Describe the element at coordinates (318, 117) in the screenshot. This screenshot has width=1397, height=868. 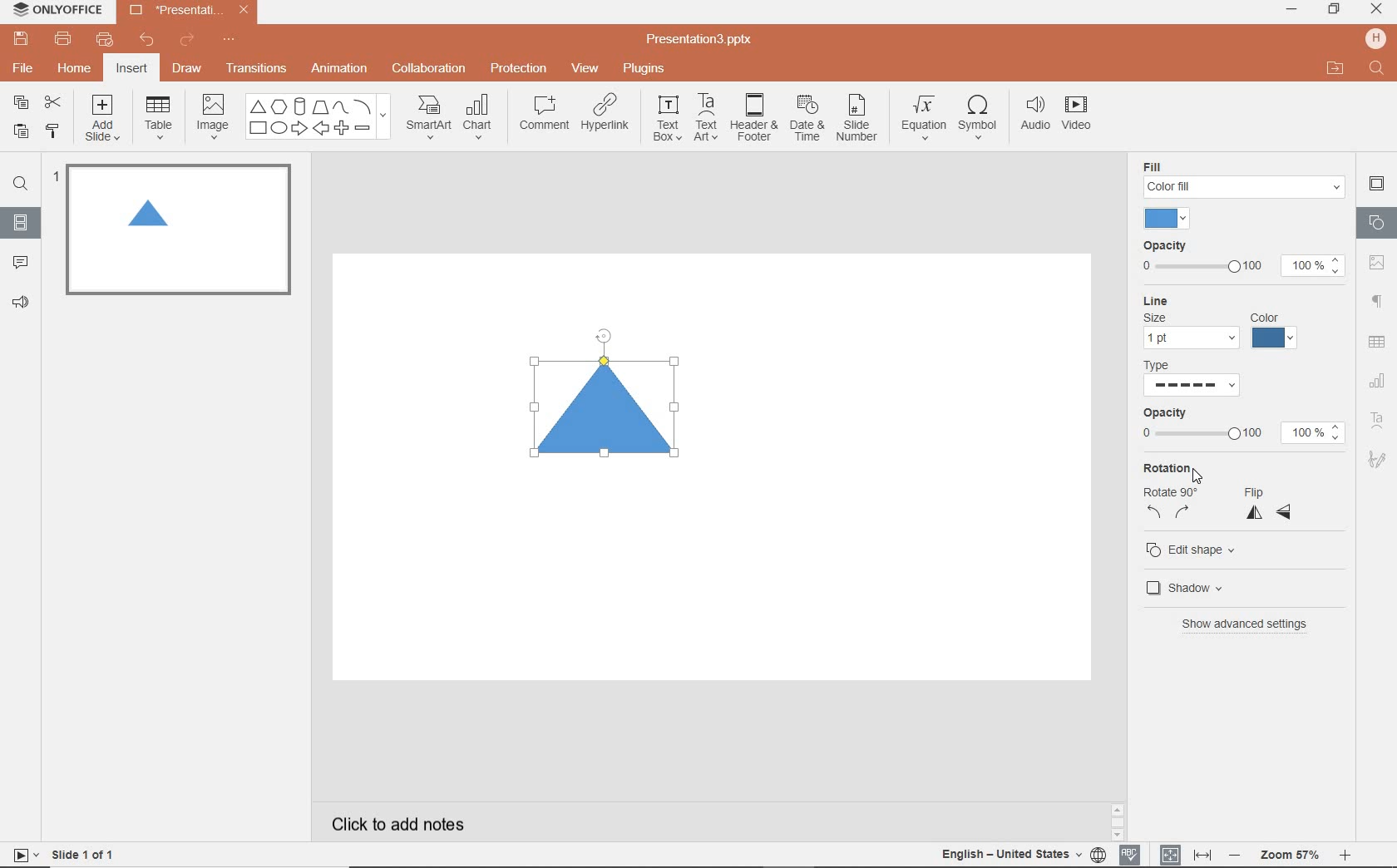
I see `SHAPES` at that location.